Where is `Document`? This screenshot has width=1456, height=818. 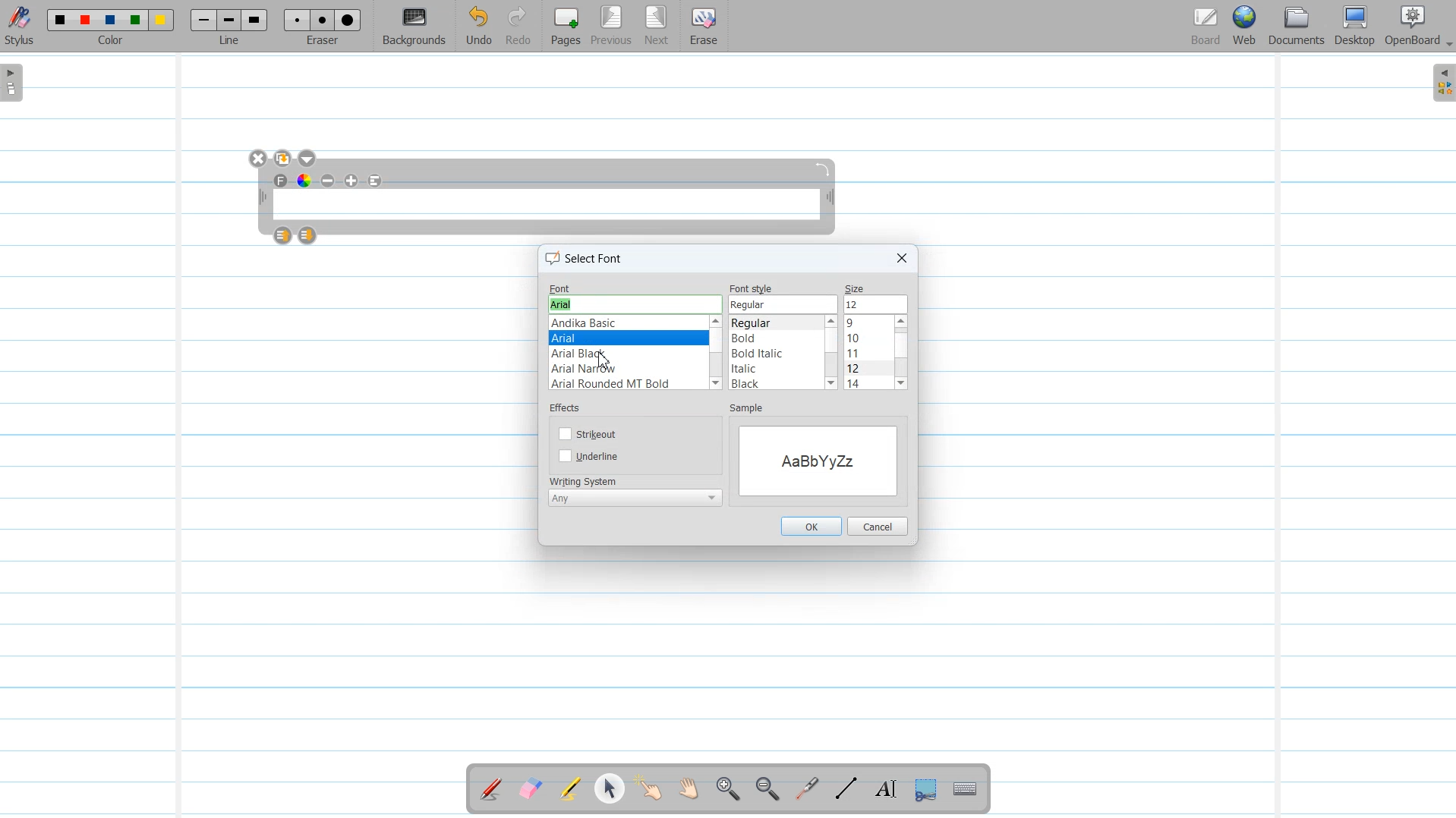
Document is located at coordinates (1298, 26).